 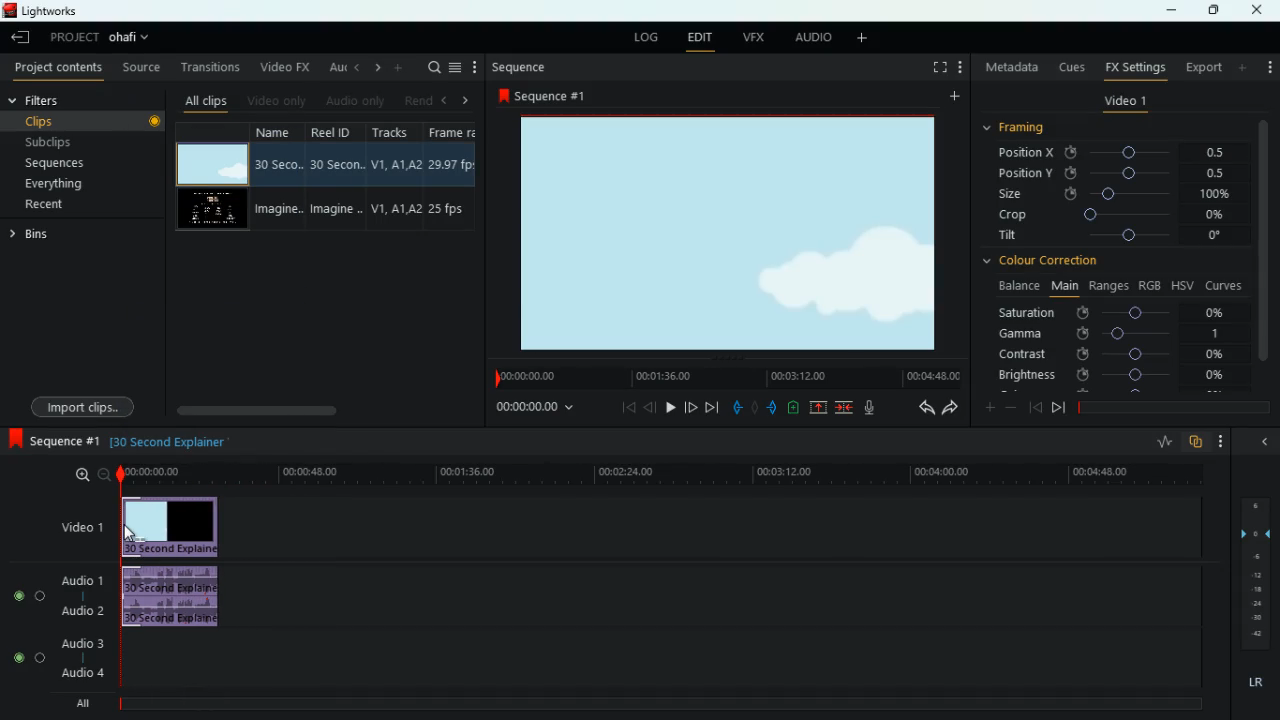 I want to click on right, so click(x=376, y=67).